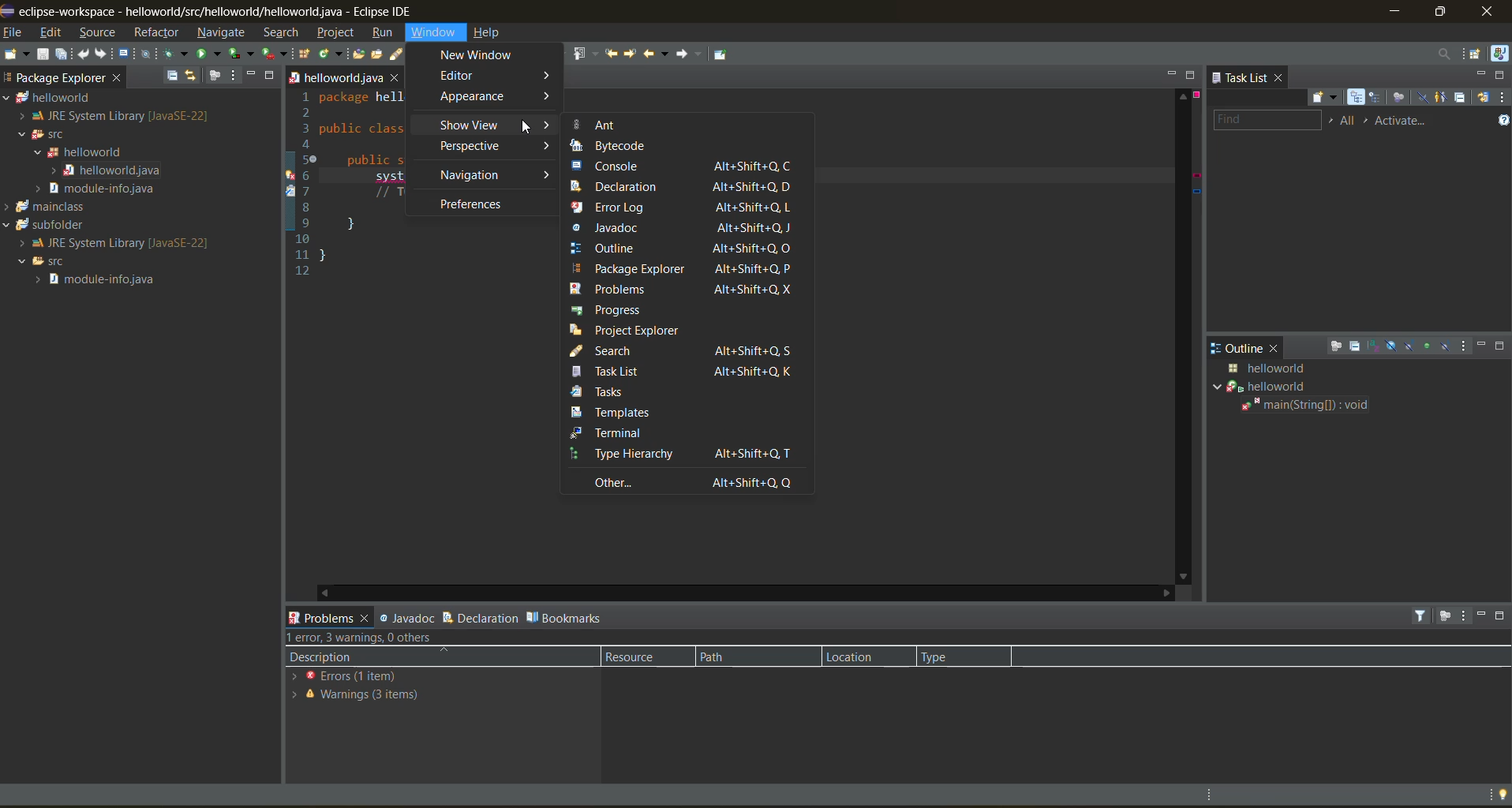 The width and height of the screenshot is (1512, 808). What do you see at coordinates (215, 10) in the screenshot?
I see `me eclipse-workspace - helloworld/src/helloworlid/helloworld.java - Eclipse IDE` at bounding box center [215, 10].